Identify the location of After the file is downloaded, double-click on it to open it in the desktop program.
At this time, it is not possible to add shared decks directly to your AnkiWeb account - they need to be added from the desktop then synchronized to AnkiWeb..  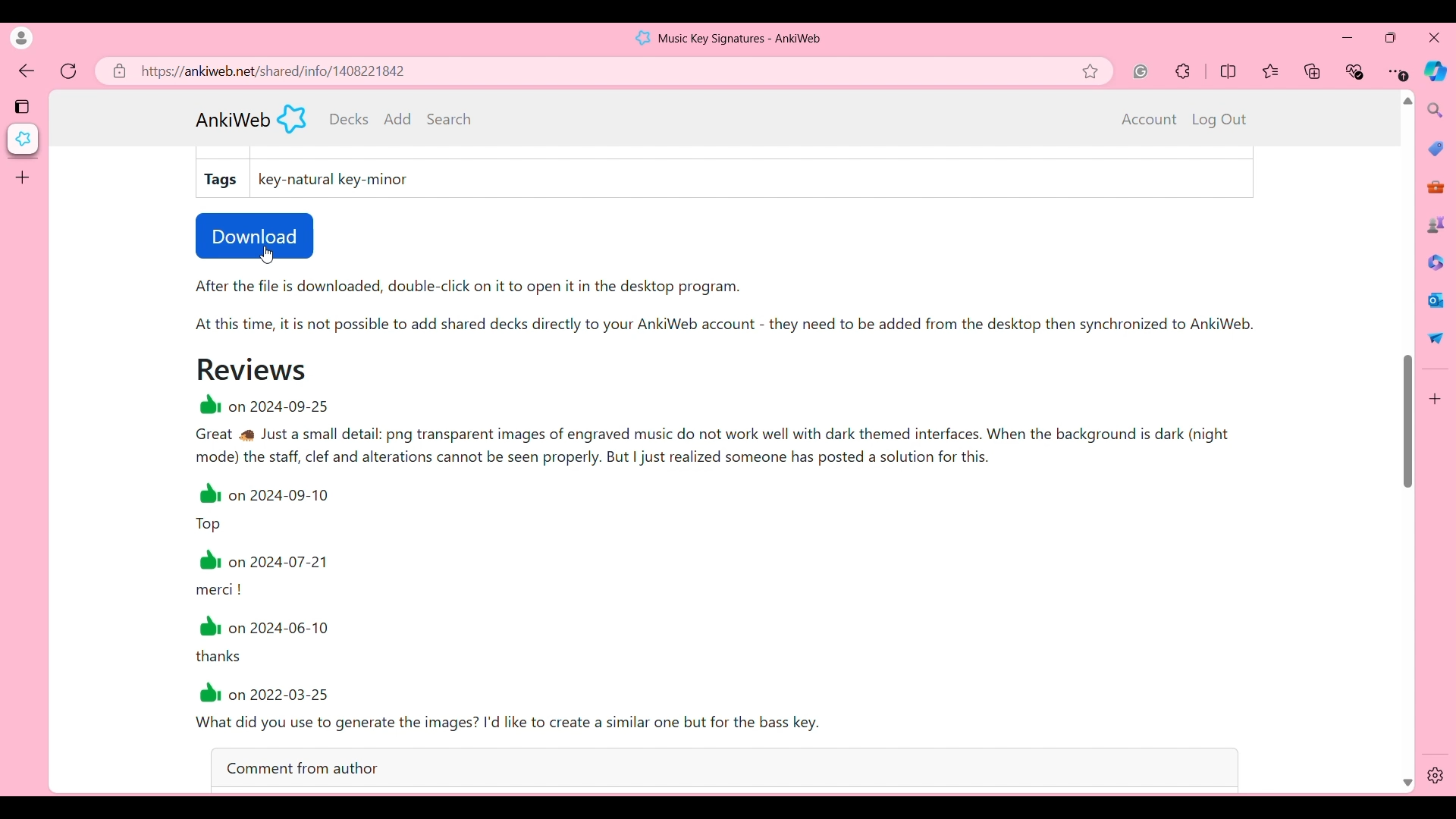
(740, 312).